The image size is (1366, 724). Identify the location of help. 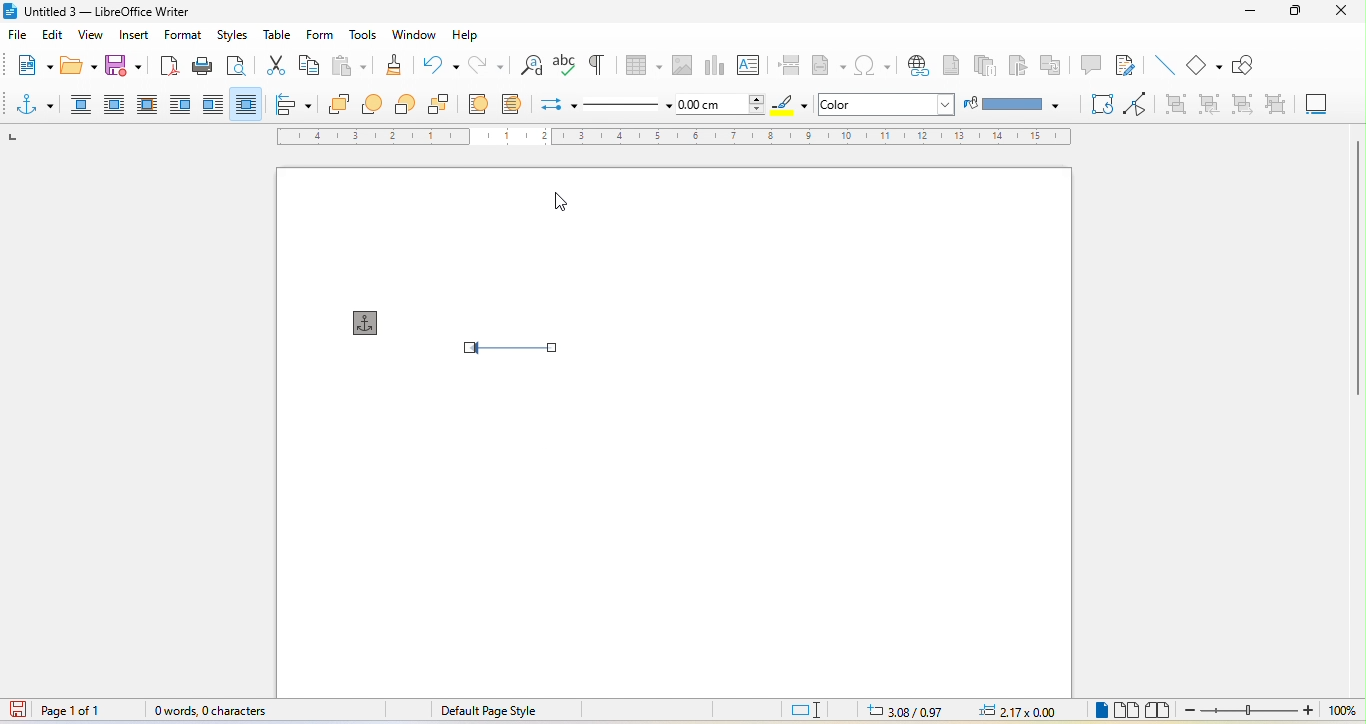
(470, 35).